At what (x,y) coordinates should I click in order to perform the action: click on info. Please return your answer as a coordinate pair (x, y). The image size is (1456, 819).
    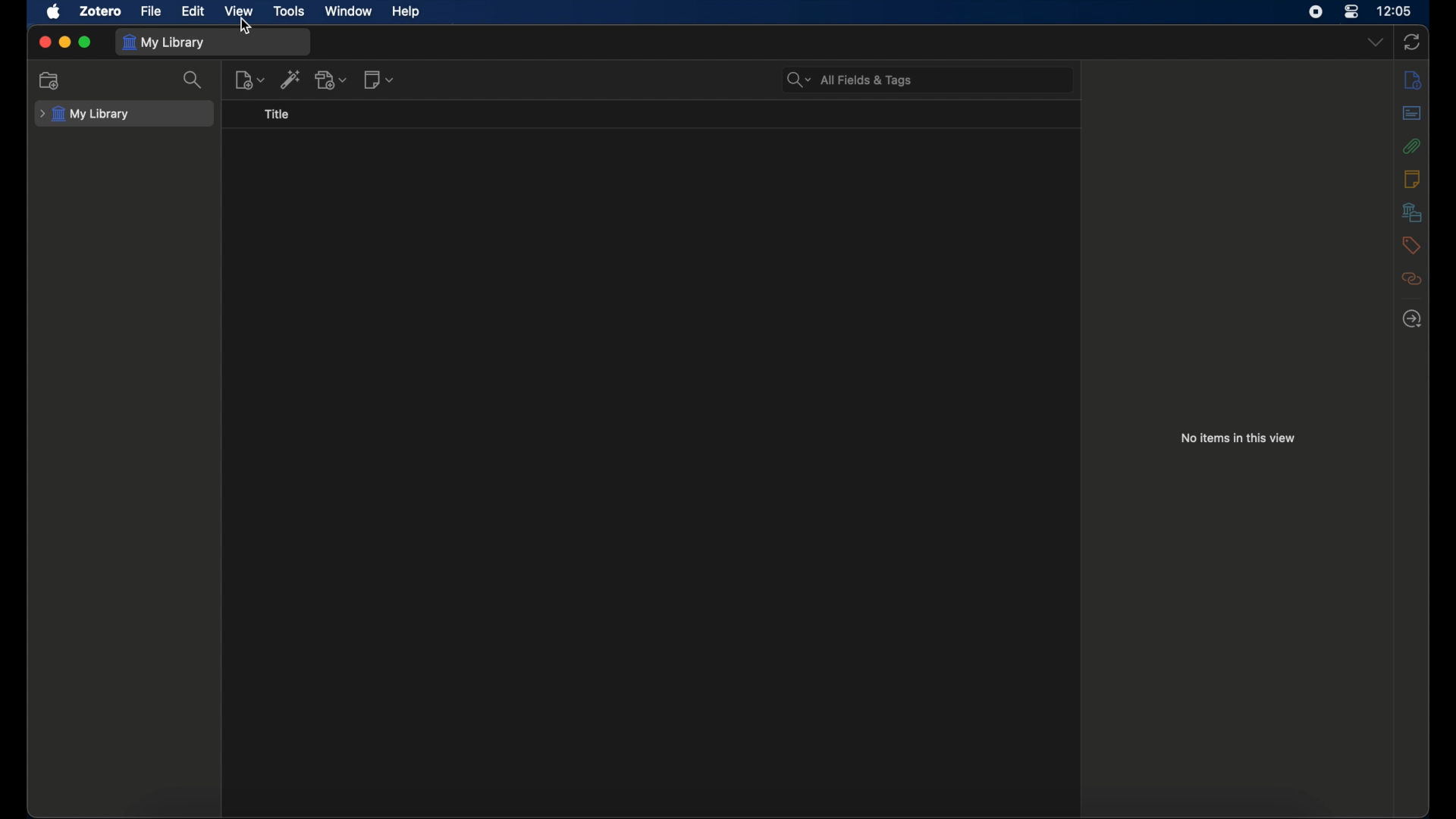
    Looking at the image, I should click on (1412, 80).